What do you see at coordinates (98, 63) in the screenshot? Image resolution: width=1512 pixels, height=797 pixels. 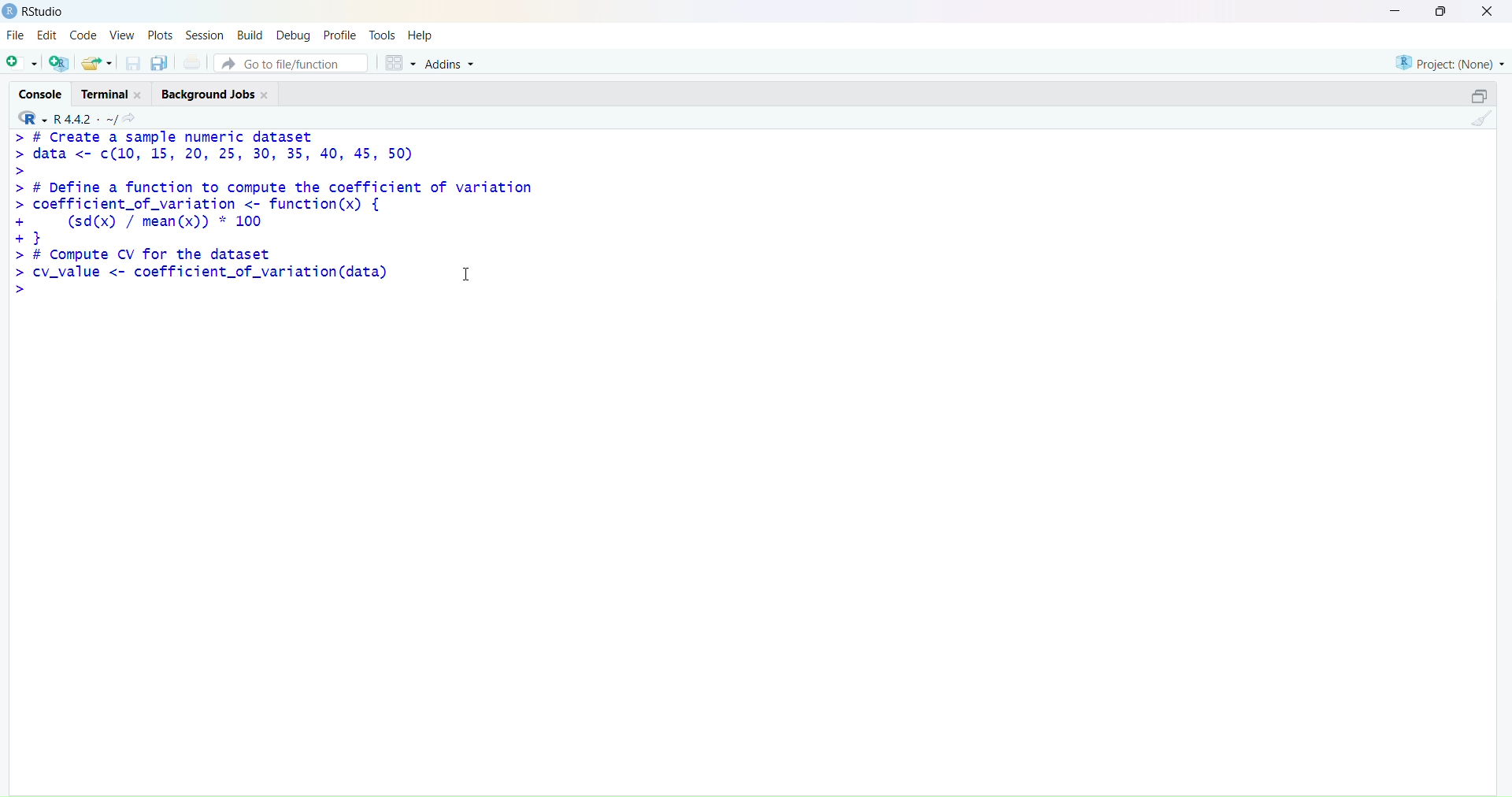 I see `share folder as` at bounding box center [98, 63].